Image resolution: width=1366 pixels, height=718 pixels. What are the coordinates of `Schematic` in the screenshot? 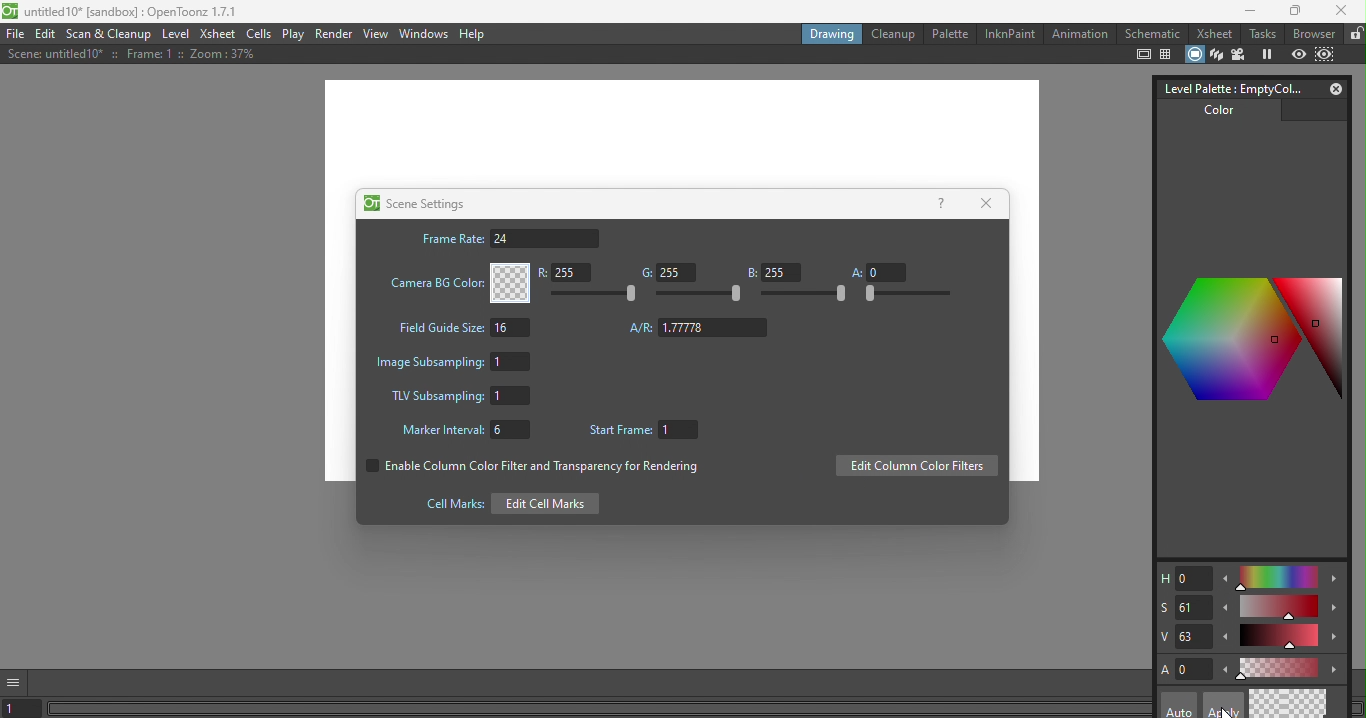 It's located at (1152, 34).